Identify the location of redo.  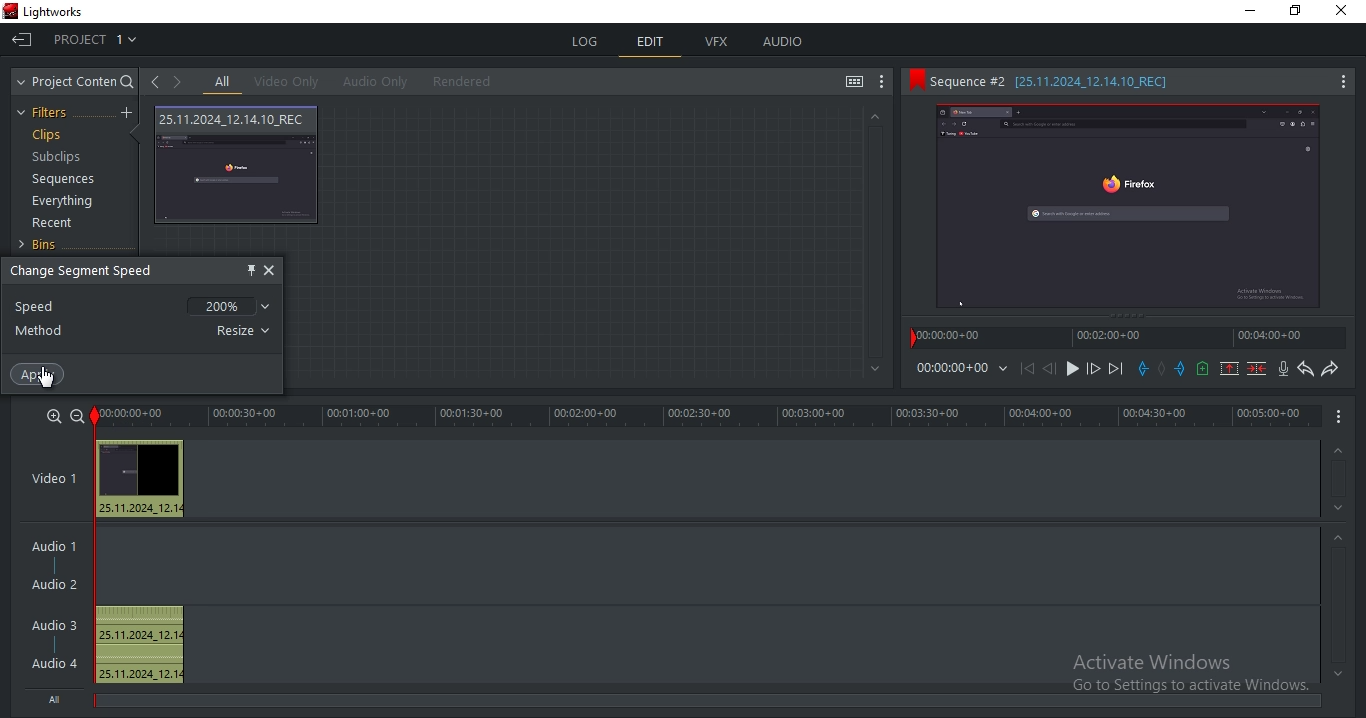
(1330, 370).